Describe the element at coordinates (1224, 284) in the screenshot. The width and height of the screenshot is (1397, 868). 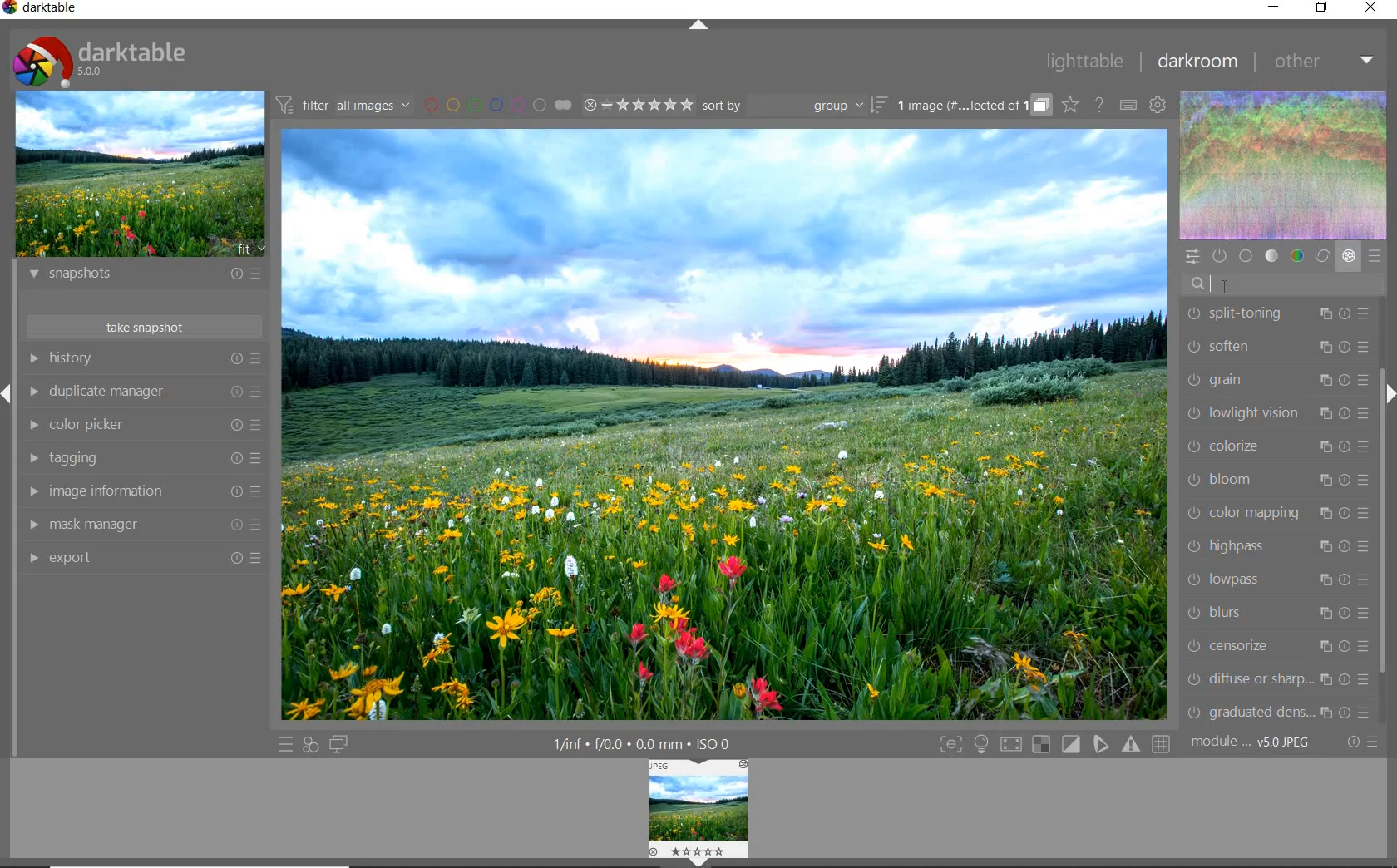
I see `CURSOR` at that location.